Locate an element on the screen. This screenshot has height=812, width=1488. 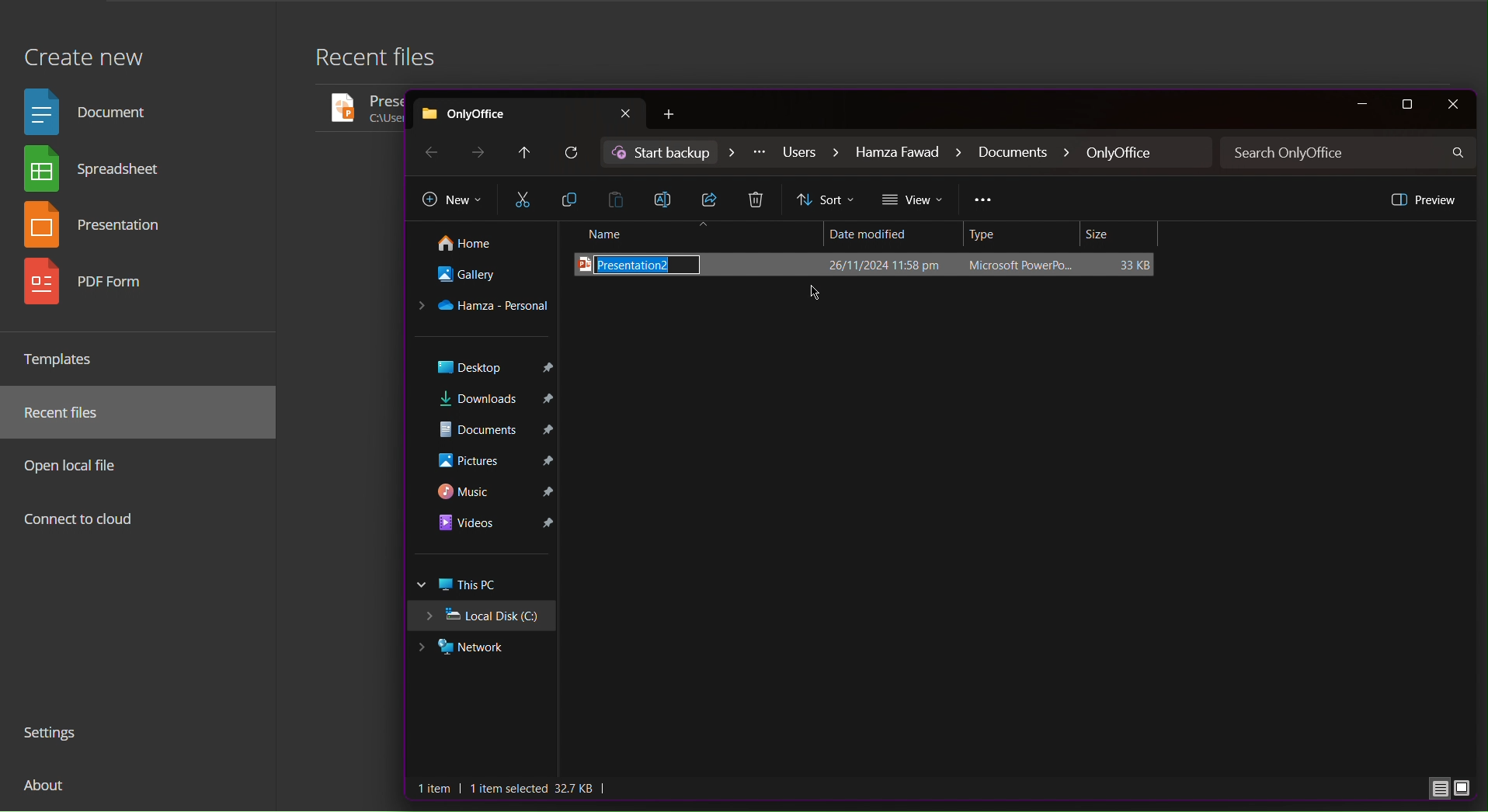
Rename is located at coordinates (668, 198).